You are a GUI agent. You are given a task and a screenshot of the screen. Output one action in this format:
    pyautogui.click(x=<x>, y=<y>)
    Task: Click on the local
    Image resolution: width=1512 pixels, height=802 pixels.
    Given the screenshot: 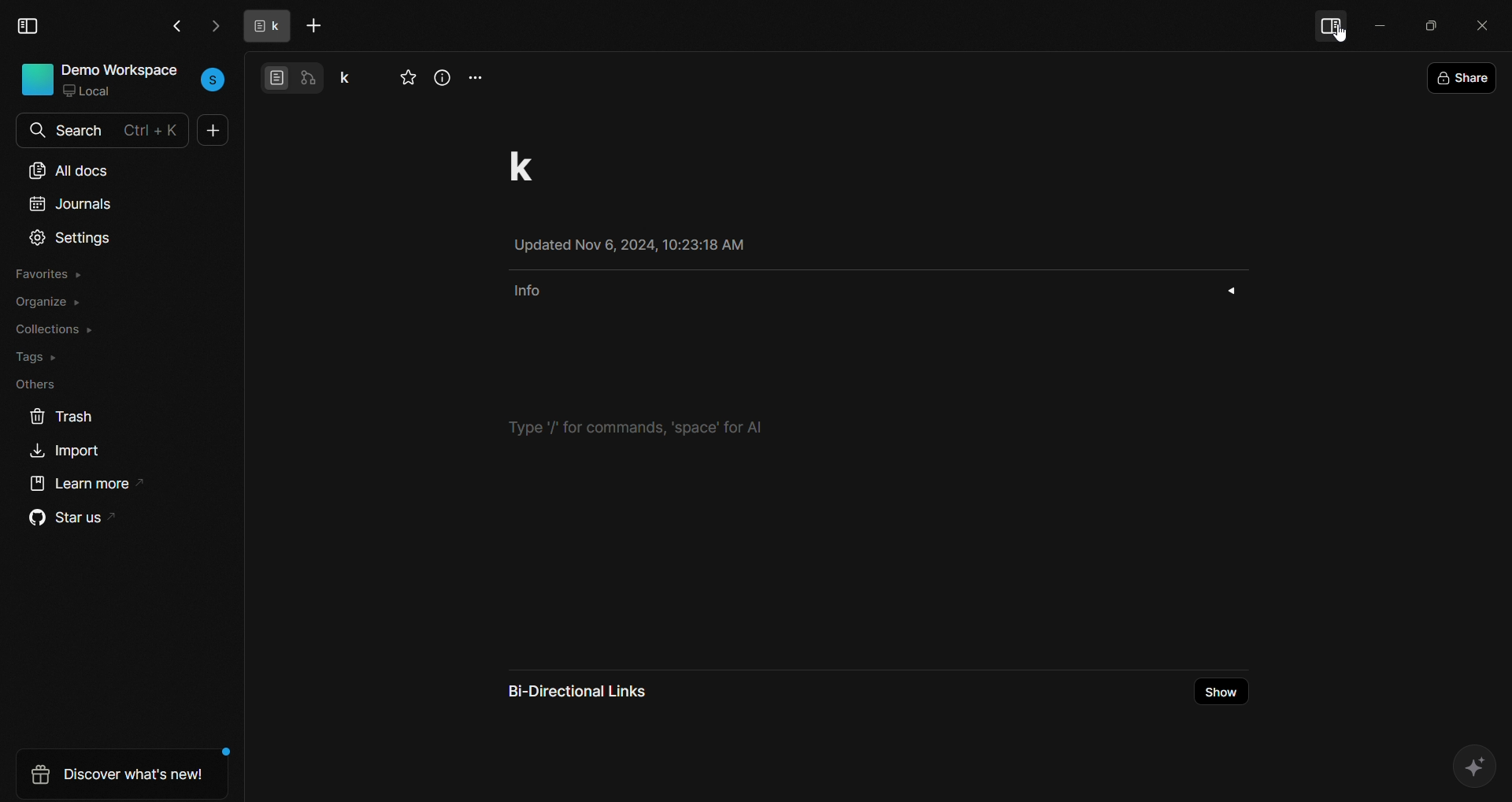 What is the action you would take?
    pyautogui.click(x=94, y=93)
    